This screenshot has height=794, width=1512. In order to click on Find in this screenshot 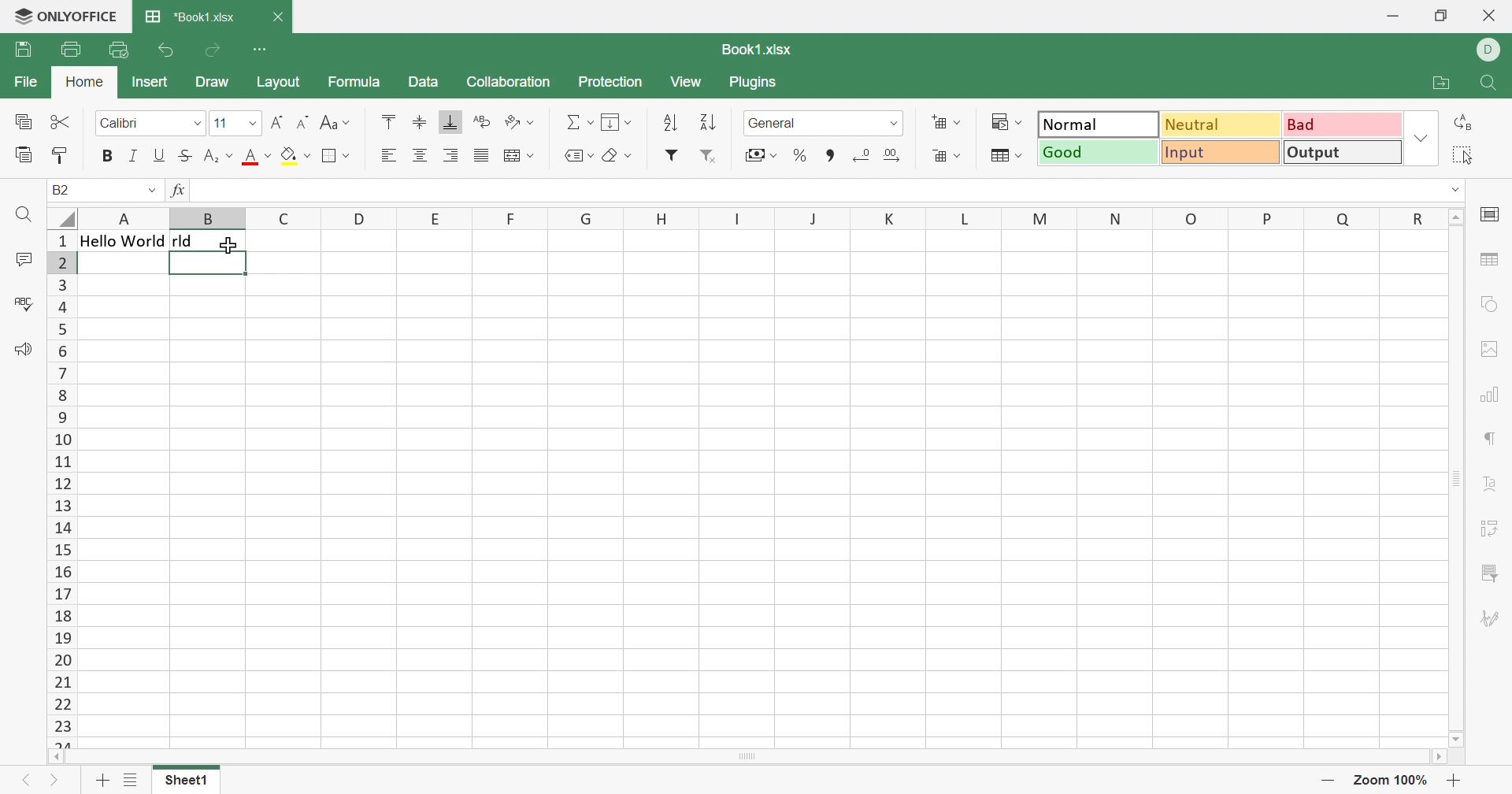, I will do `click(1492, 83)`.